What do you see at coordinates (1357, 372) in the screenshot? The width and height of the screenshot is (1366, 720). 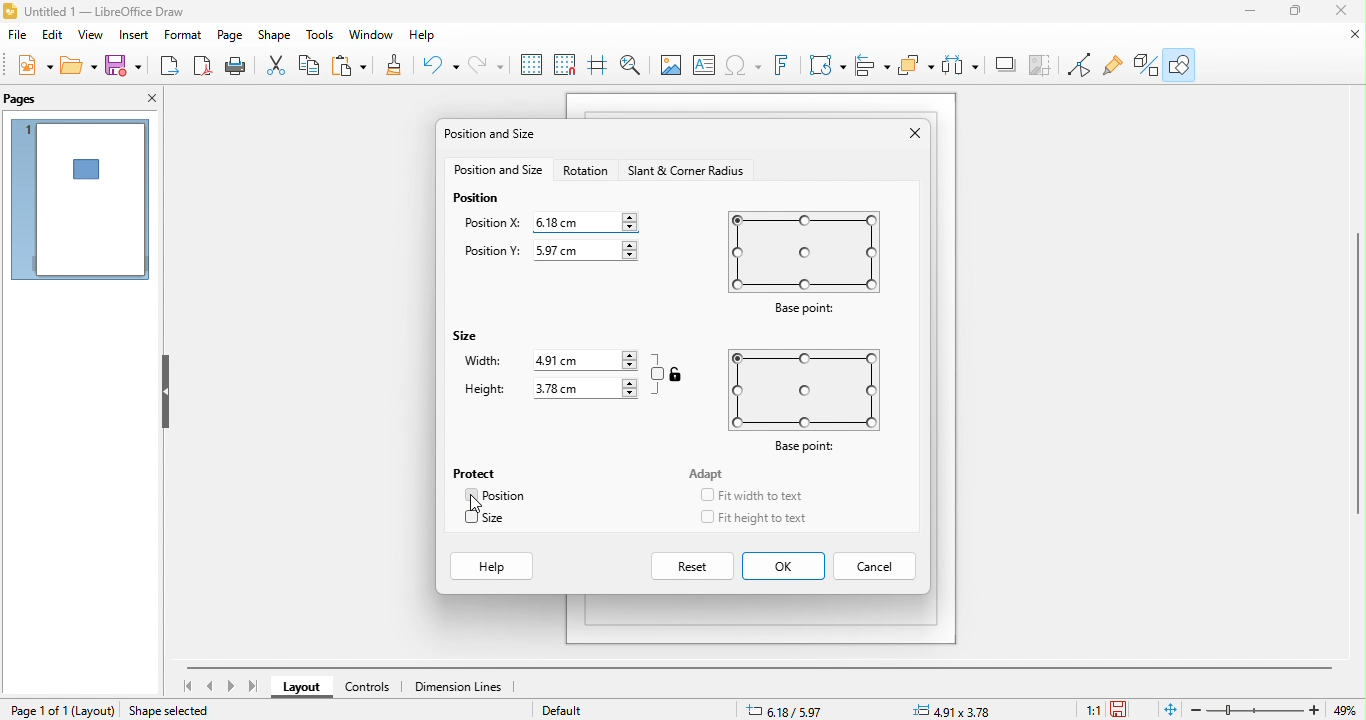 I see `vertical scroll bar` at bounding box center [1357, 372].